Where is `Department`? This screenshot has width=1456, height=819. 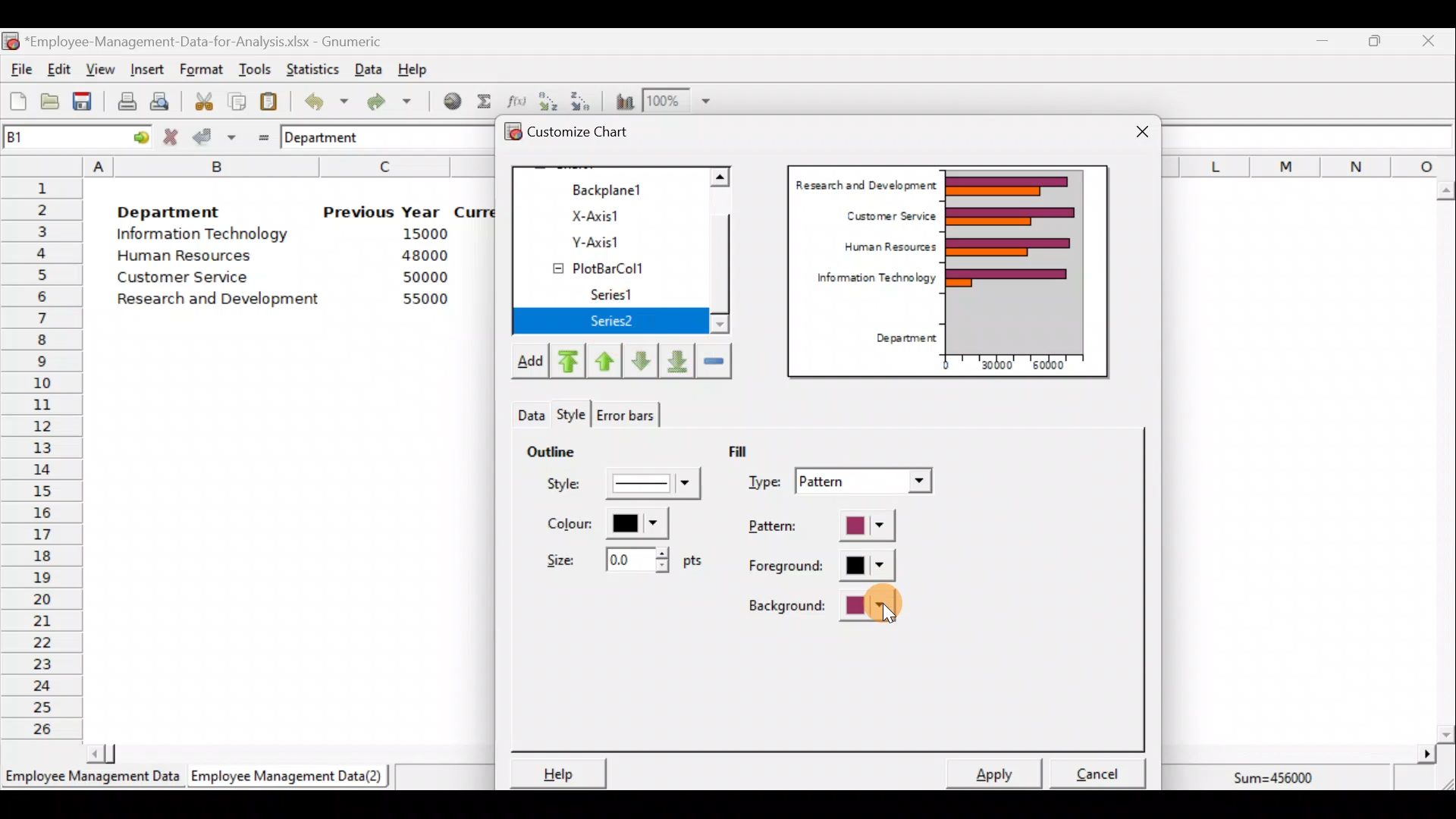 Department is located at coordinates (901, 339).